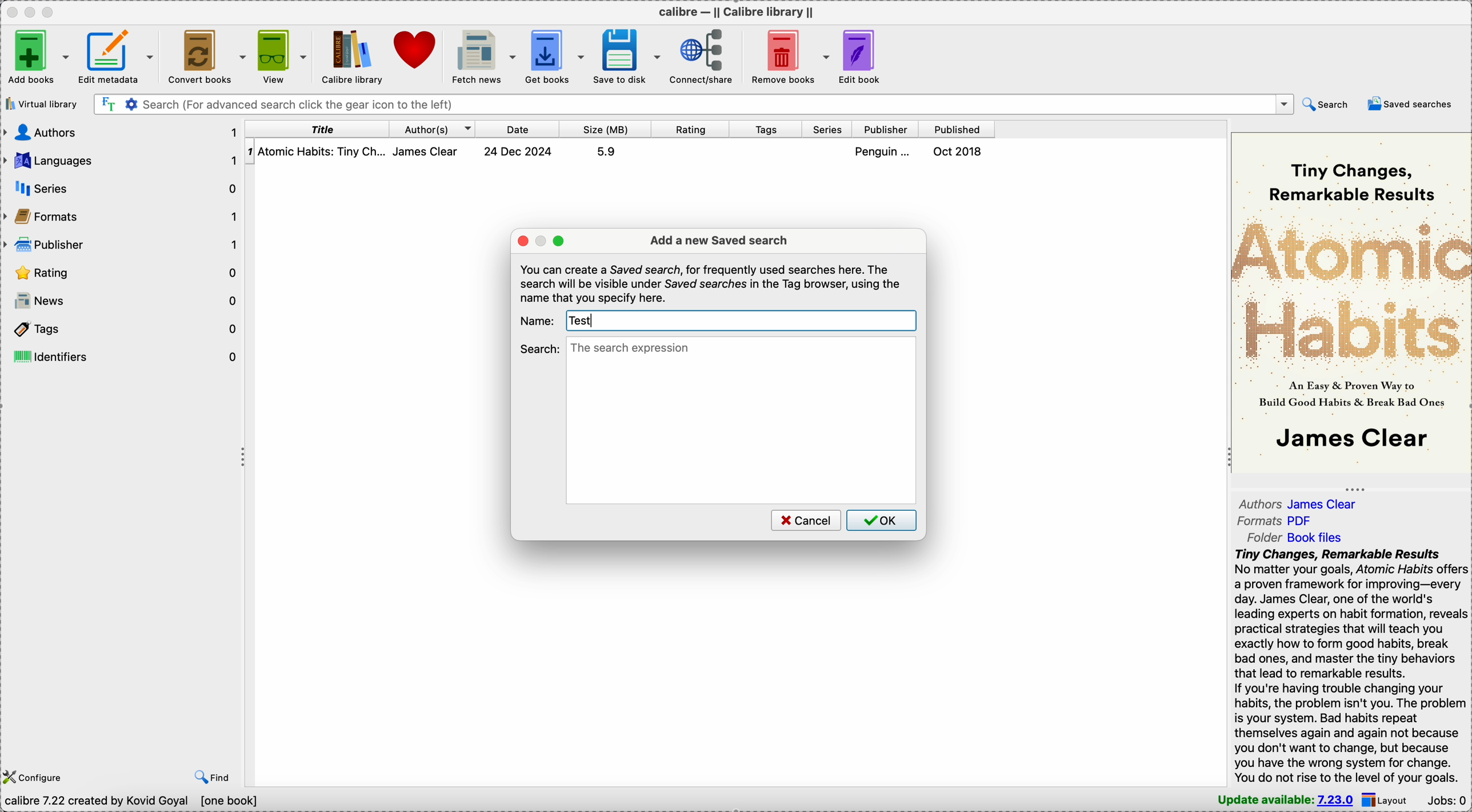  I want to click on news, so click(122, 301).